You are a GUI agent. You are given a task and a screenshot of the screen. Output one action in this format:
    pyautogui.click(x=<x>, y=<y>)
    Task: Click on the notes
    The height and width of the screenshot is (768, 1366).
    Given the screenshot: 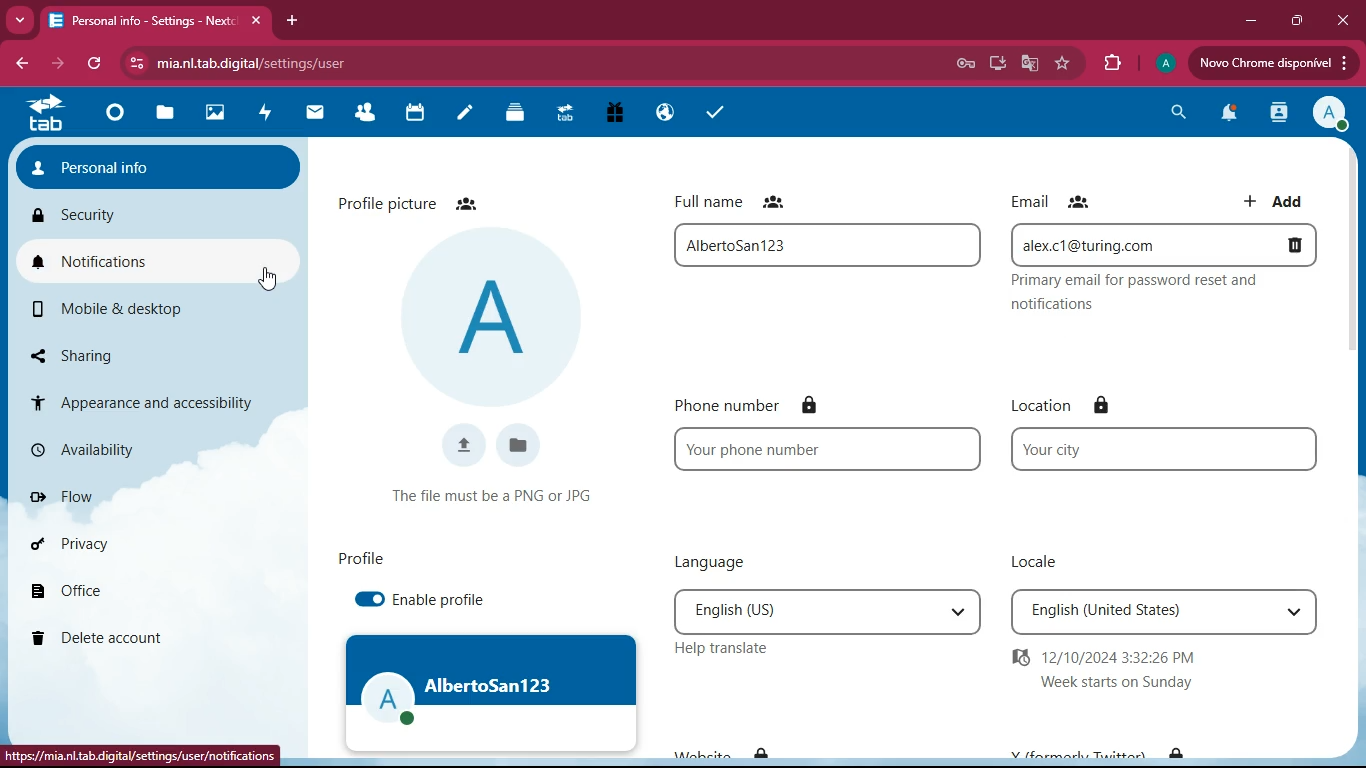 What is the action you would take?
    pyautogui.click(x=459, y=115)
    